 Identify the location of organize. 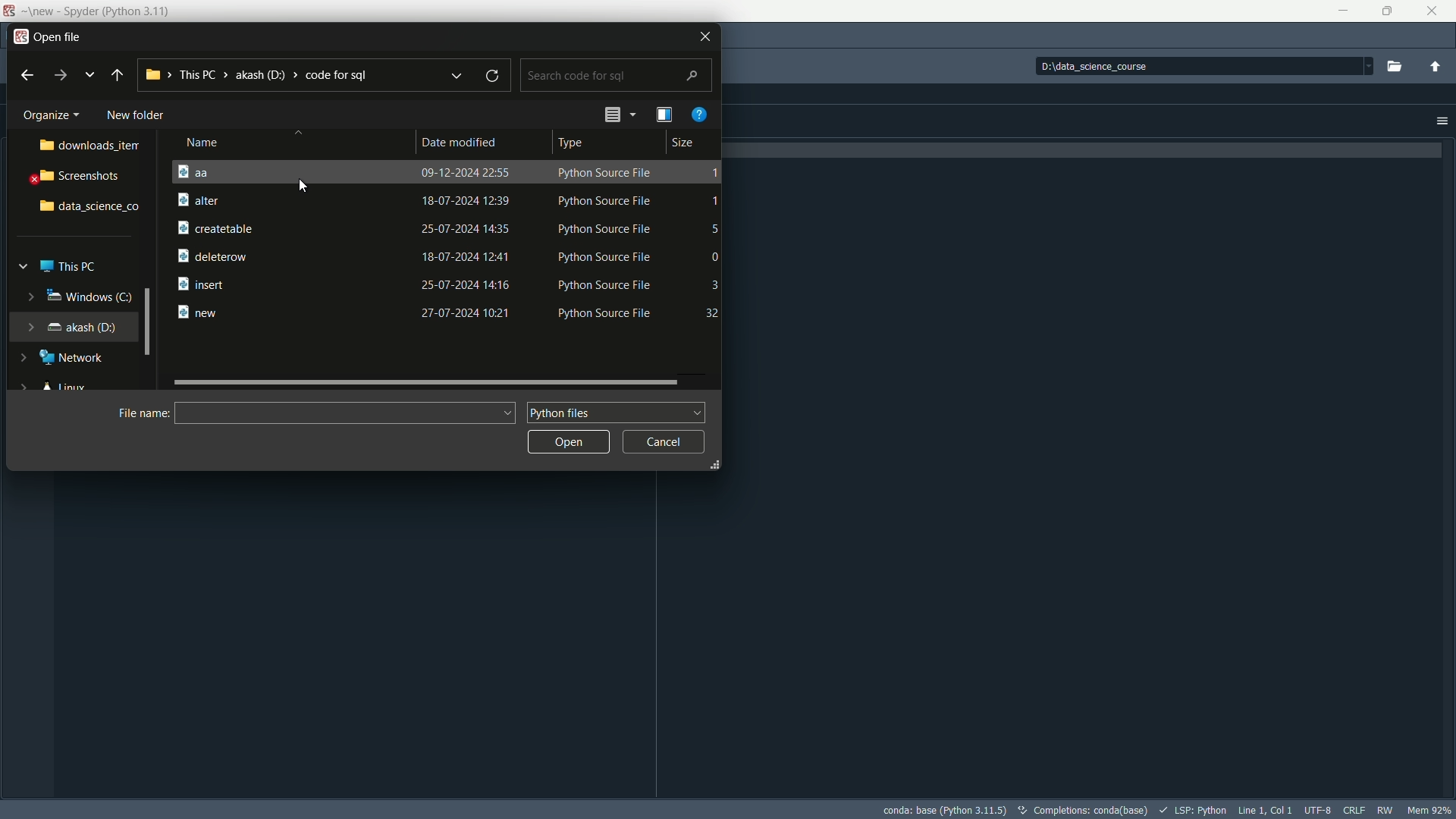
(51, 114).